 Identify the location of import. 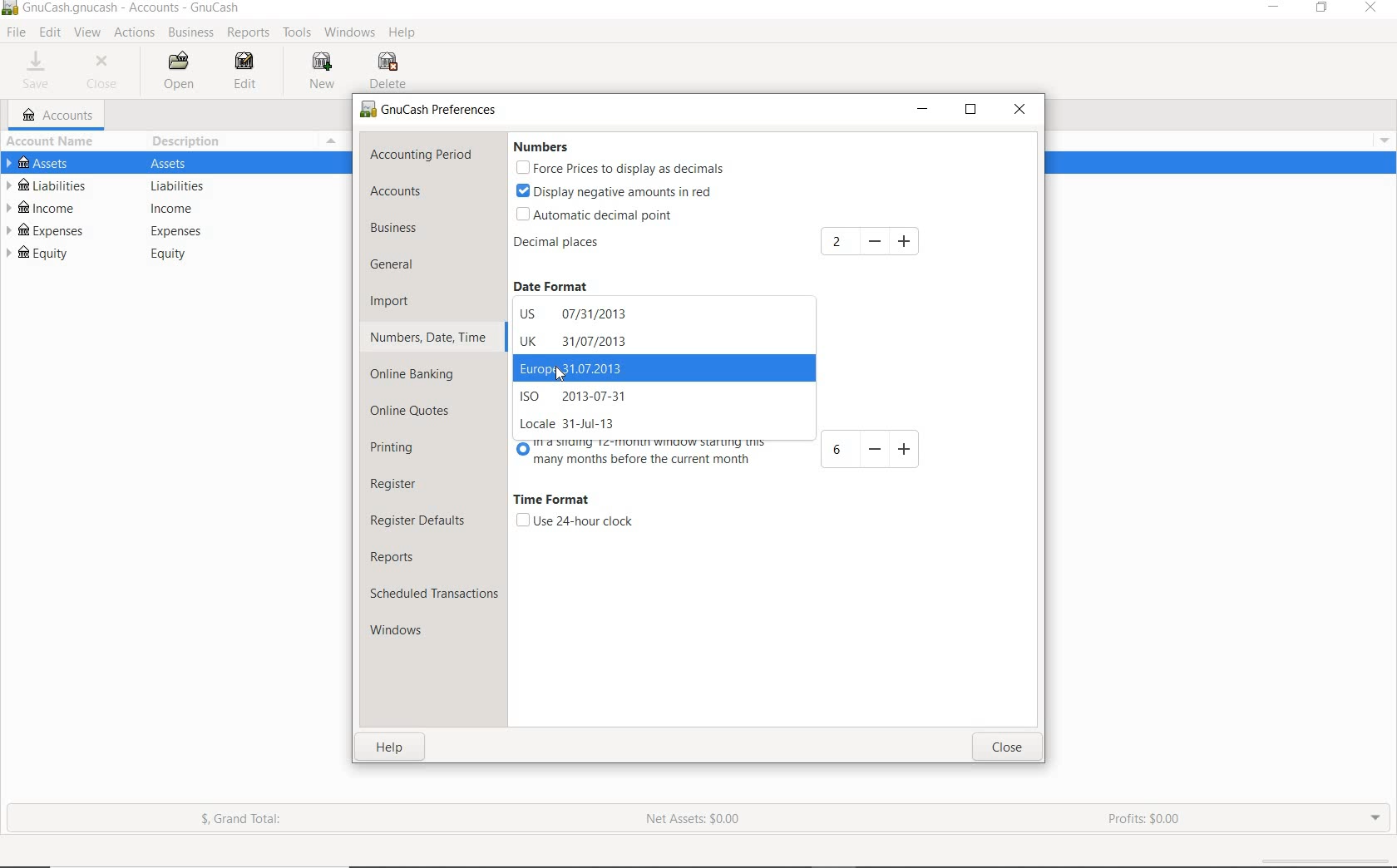
(402, 300).